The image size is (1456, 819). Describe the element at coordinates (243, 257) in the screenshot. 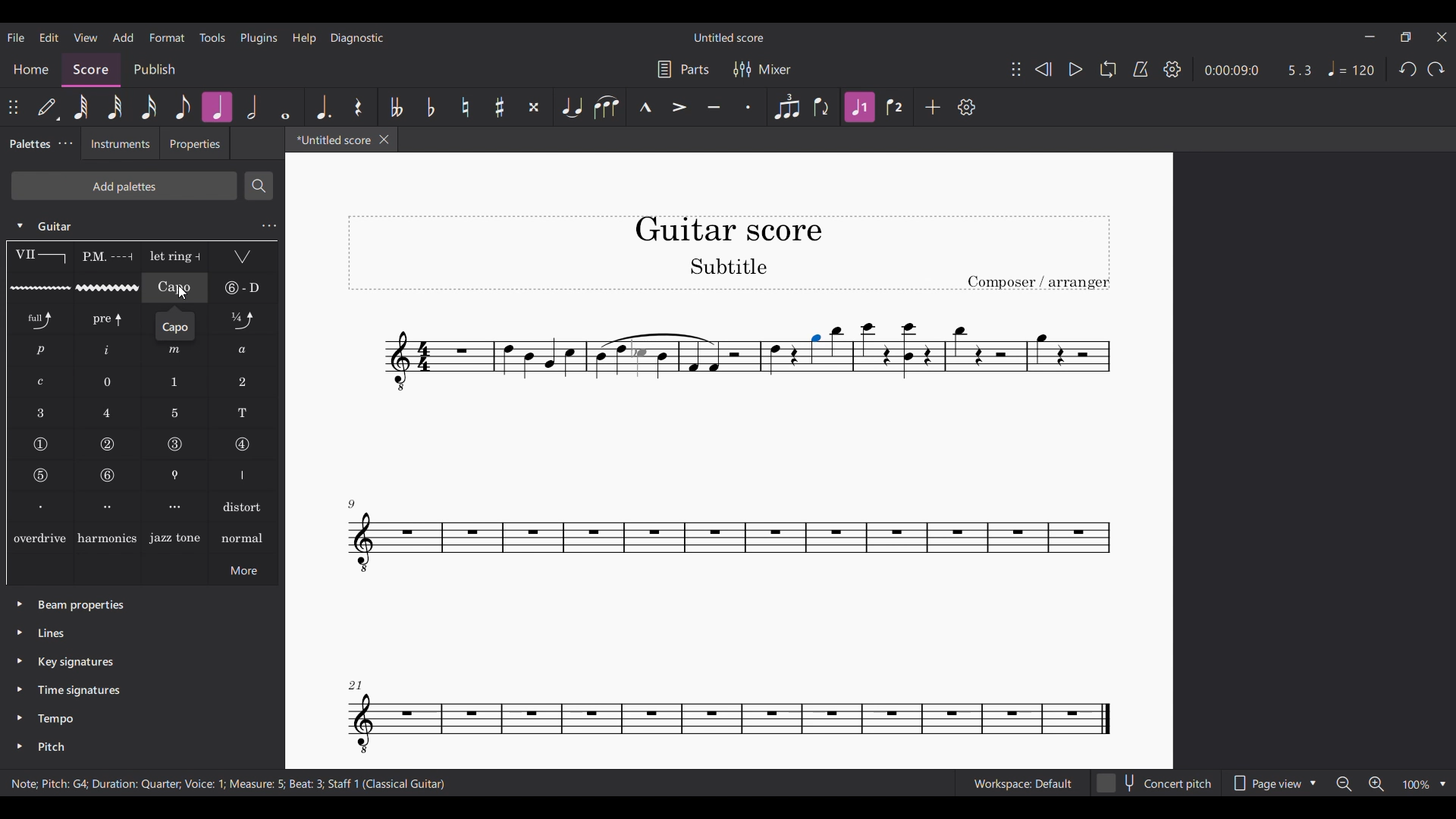

I see `Tremolo bar` at that location.